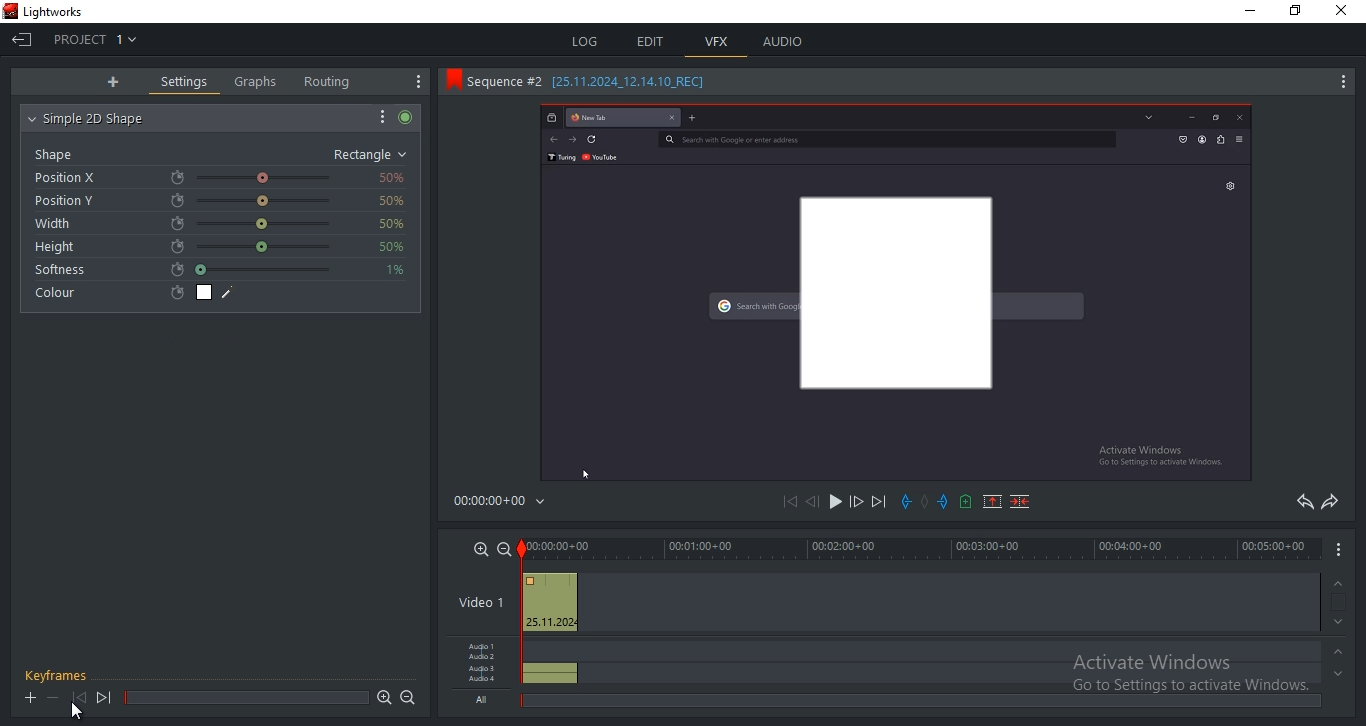  What do you see at coordinates (794, 503) in the screenshot?
I see `previous` at bounding box center [794, 503].